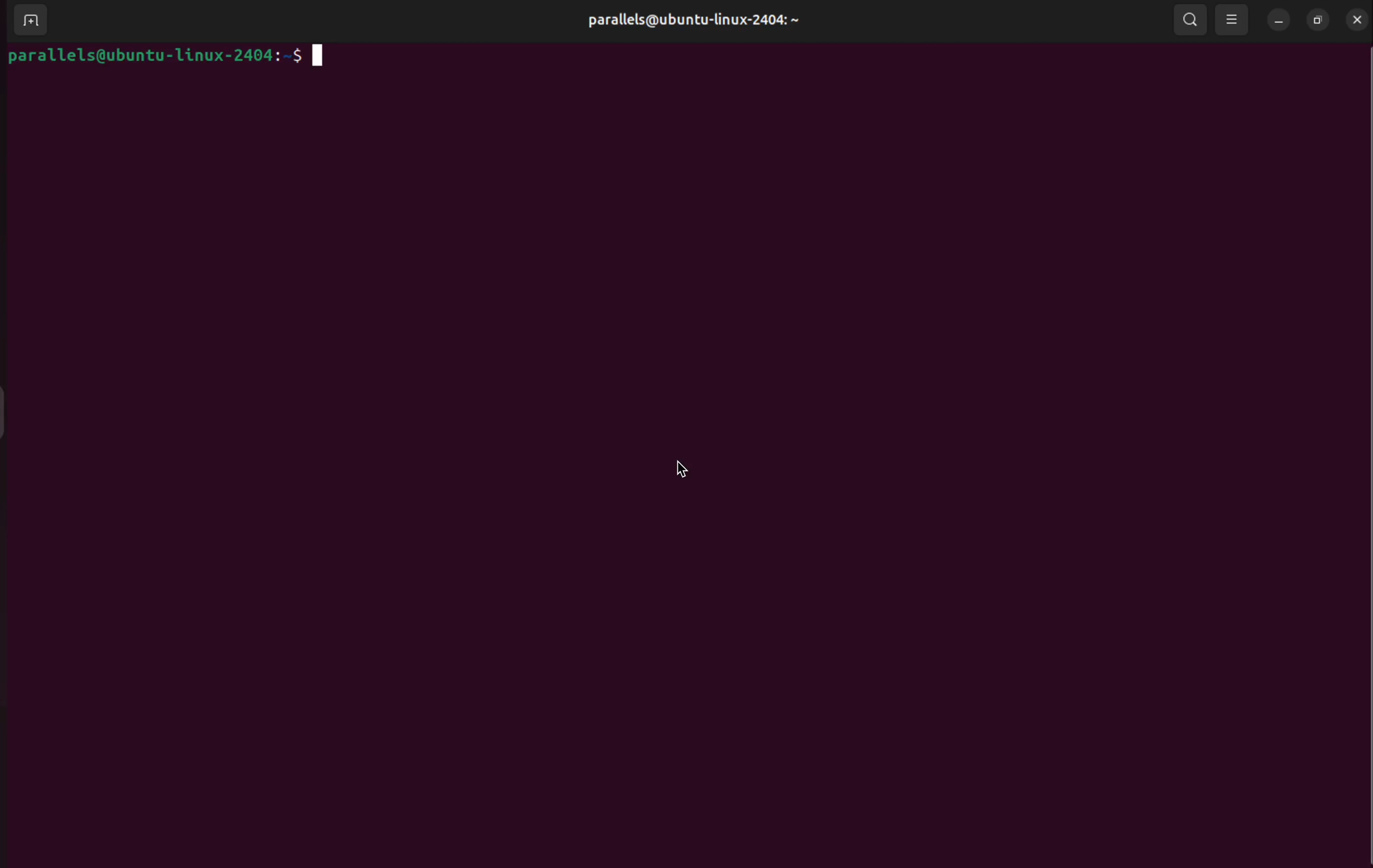 The width and height of the screenshot is (1373, 868). I want to click on minimize, so click(1279, 21).